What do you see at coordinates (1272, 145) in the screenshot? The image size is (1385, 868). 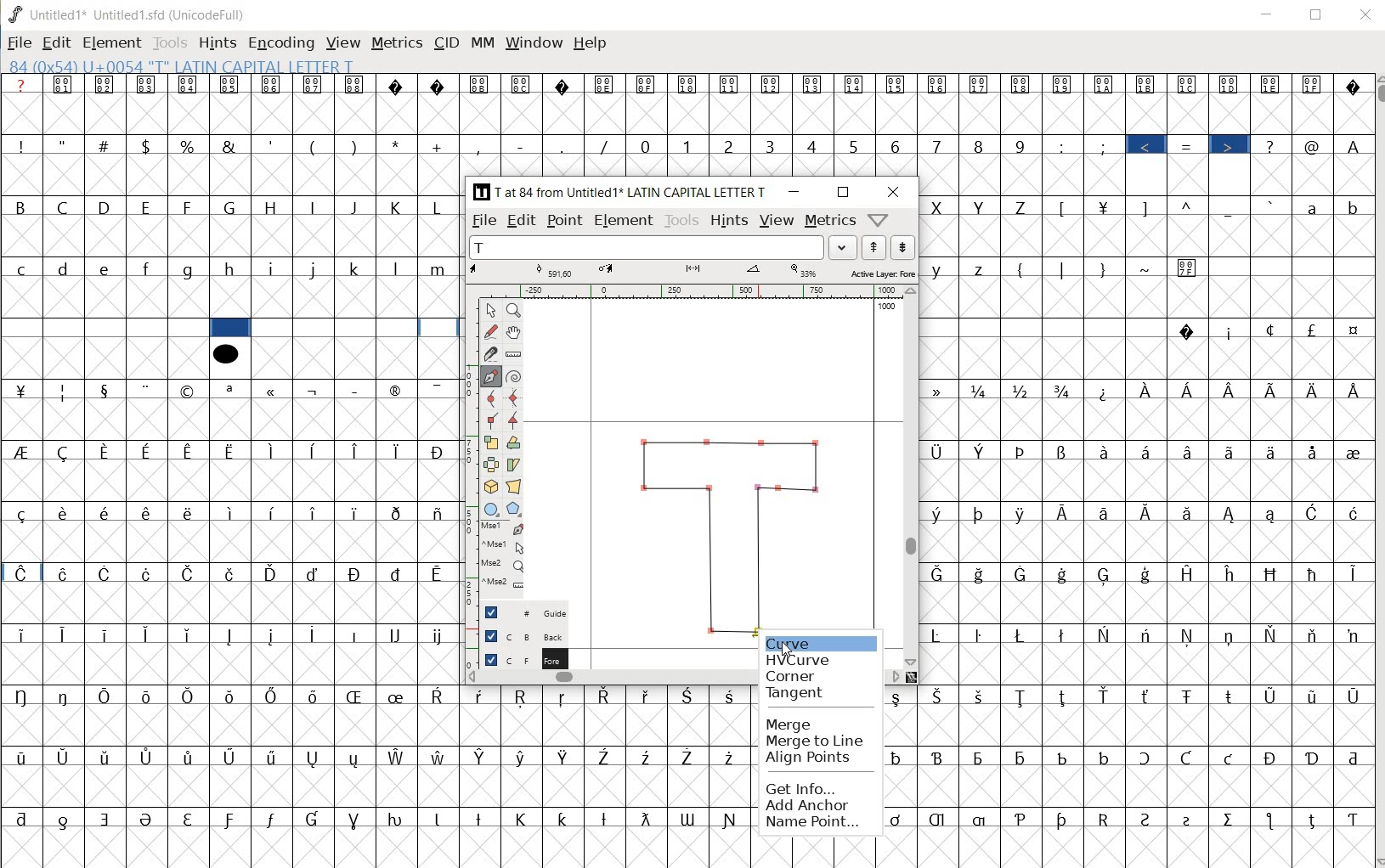 I see `?` at bounding box center [1272, 145].